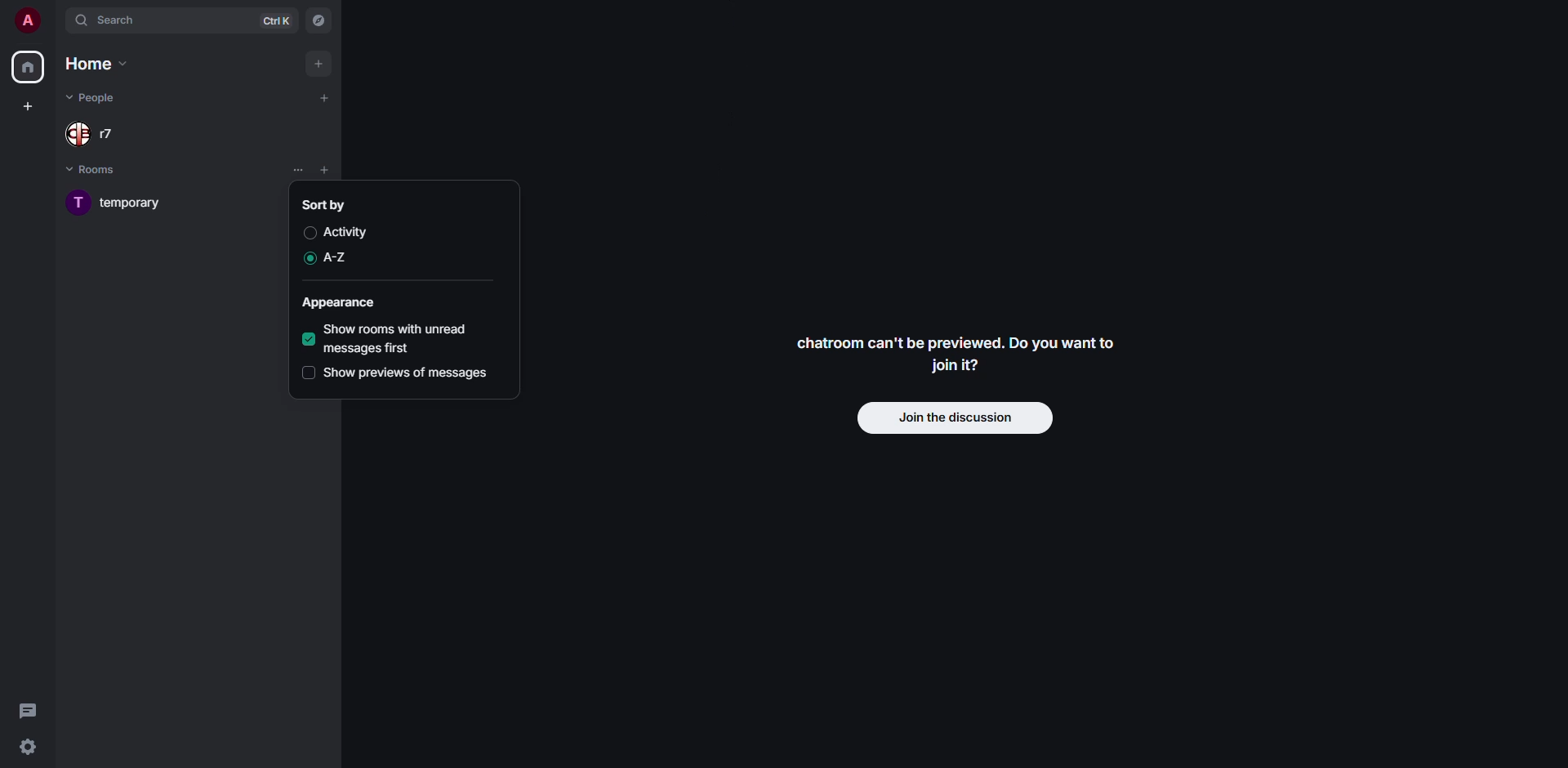 The width and height of the screenshot is (1568, 768). Describe the element at coordinates (309, 340) in the screenshot. I see `enabled` at that location.